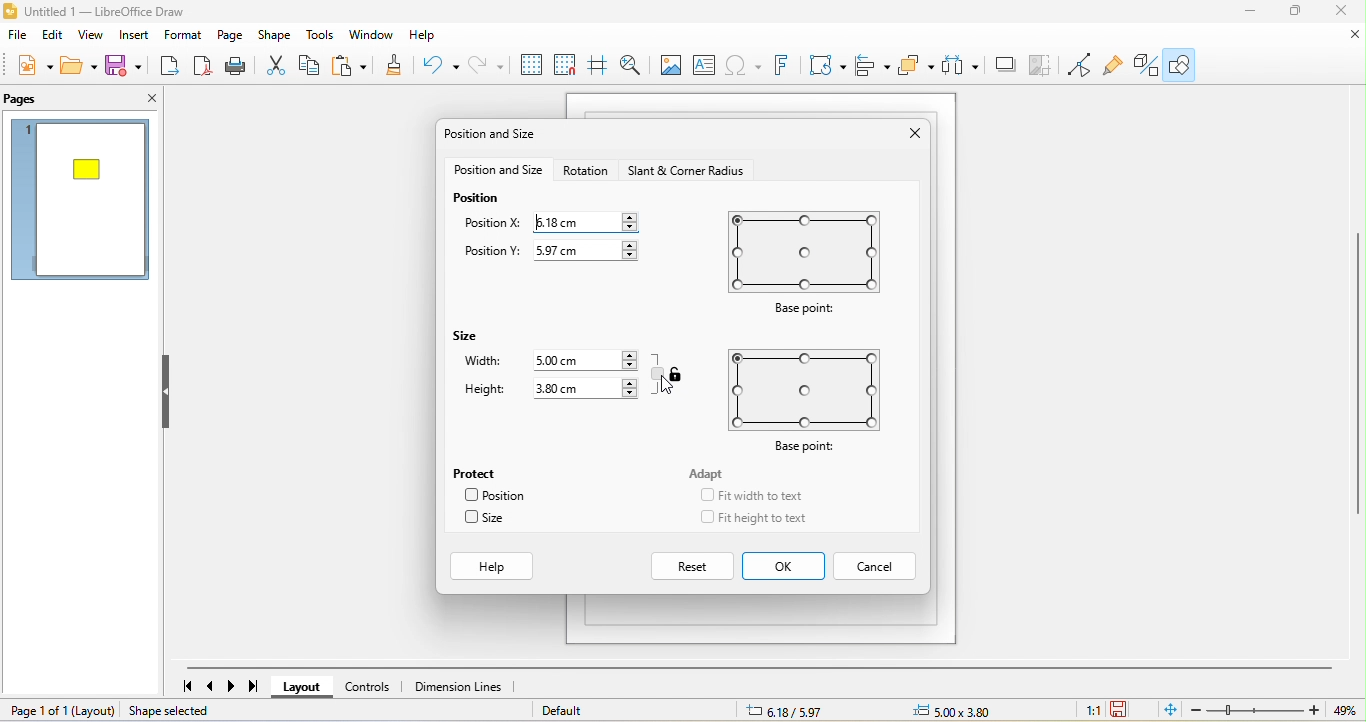  Describe the element at coordinates (1123, 710) in the screenshot. I see `since the last save` at that location.